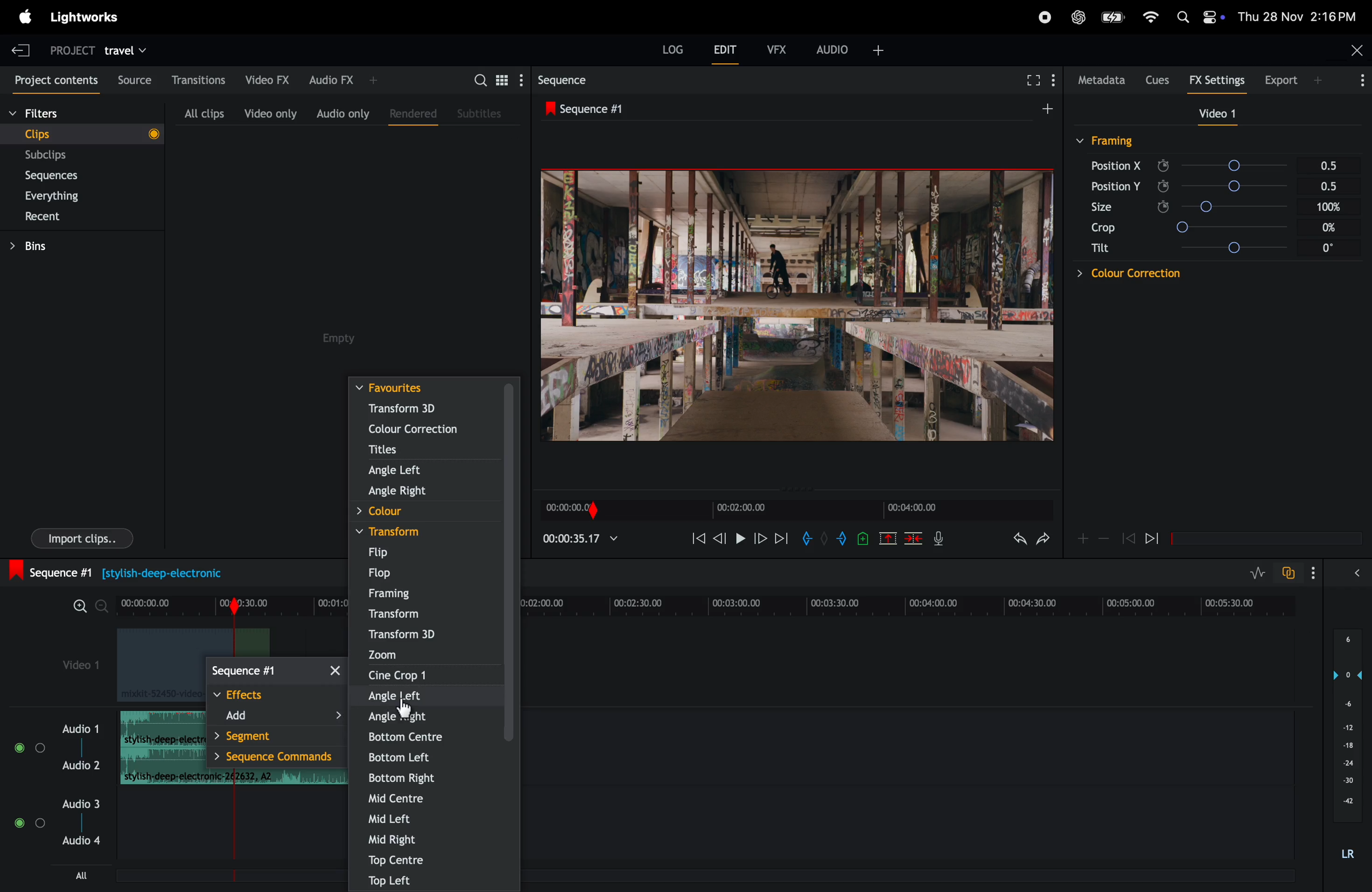  I want to click on video, so click(1212, 114).